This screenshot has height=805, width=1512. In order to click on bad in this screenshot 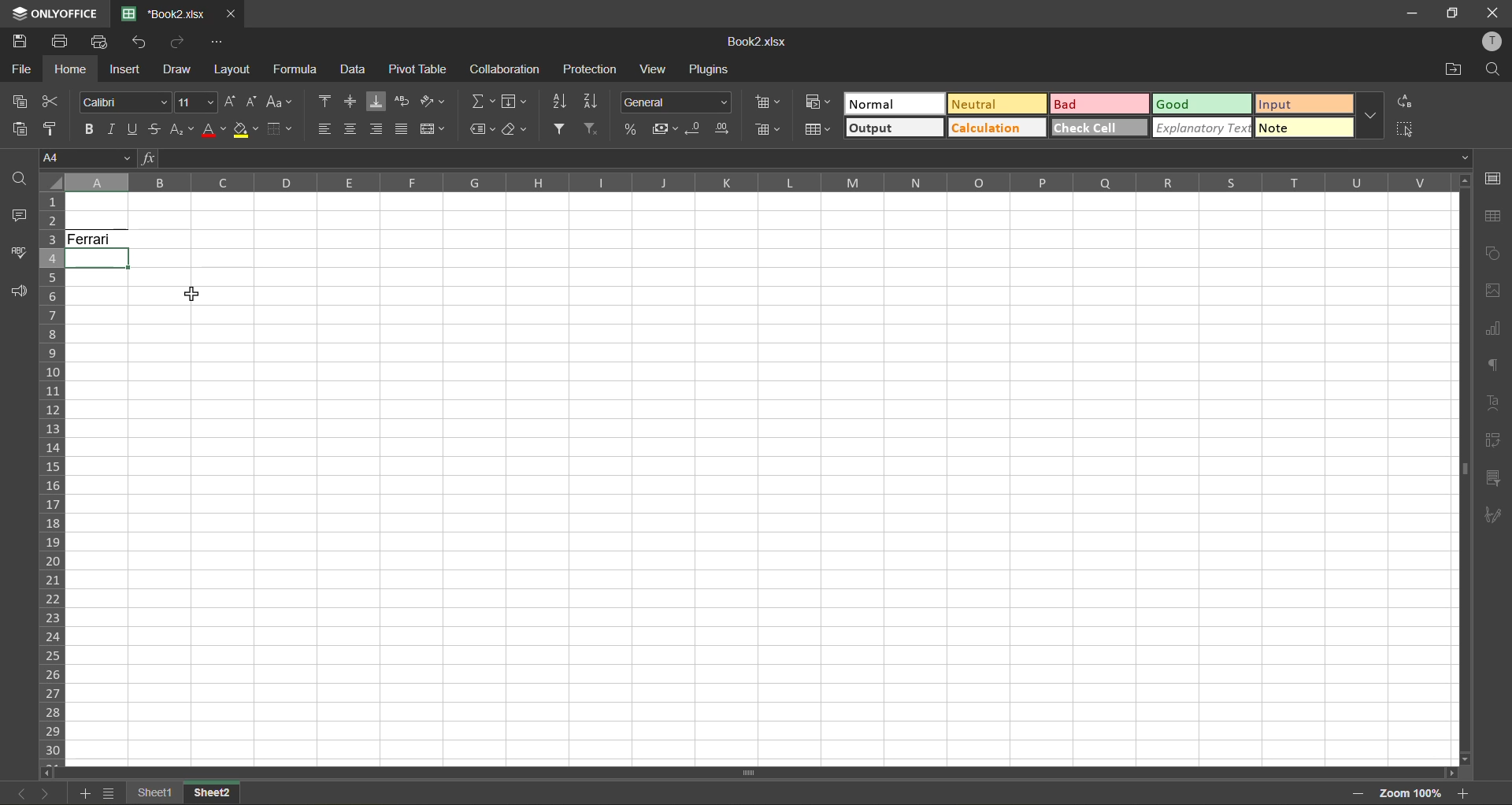, I will do `click(1097, 106)`.